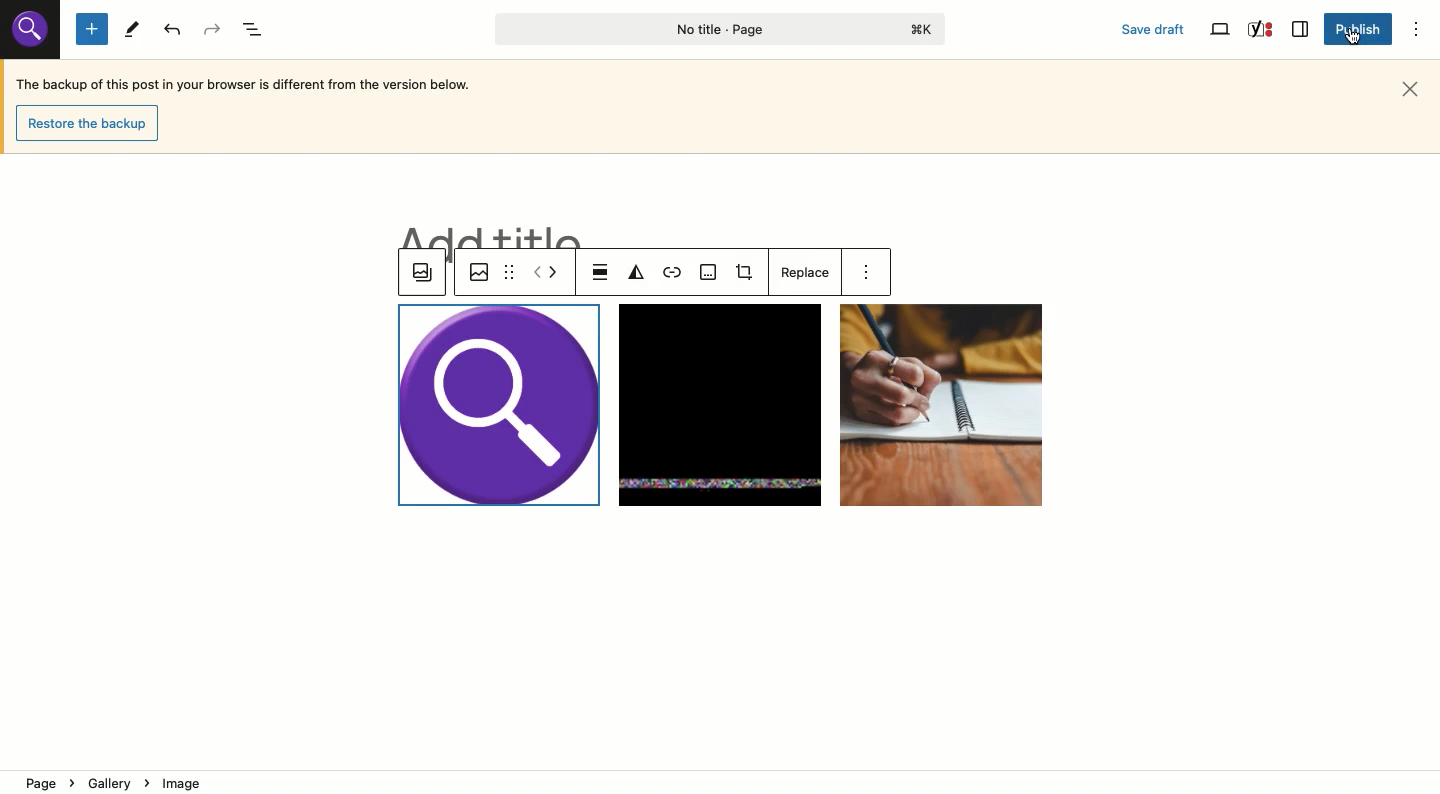 This screenshot has width=1440, height=794. What do you see at coordinates (721, 406) in the screenshot?
I see `Gallery` at bounding box center [721, 406].